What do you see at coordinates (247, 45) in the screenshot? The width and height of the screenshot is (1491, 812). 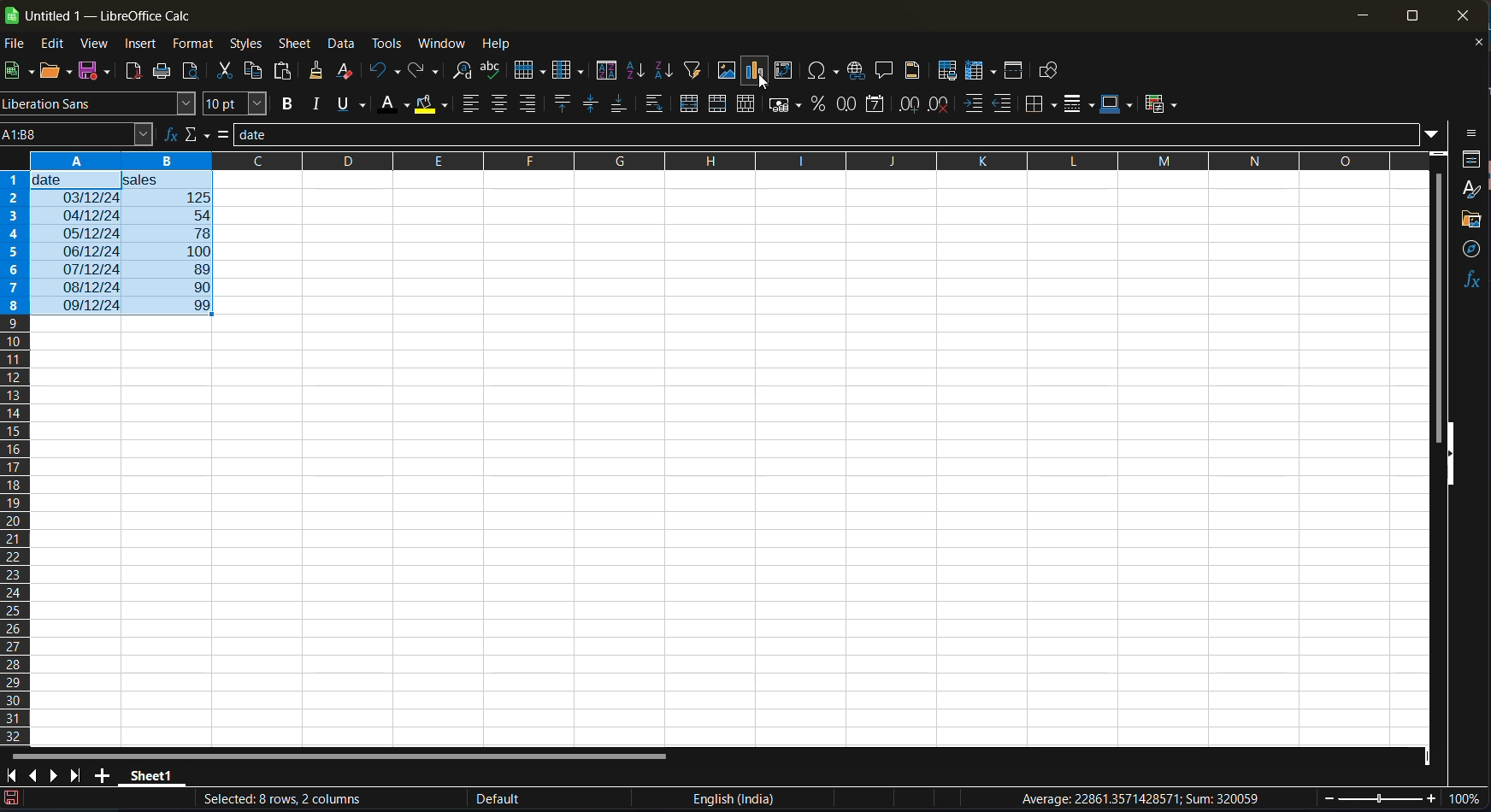 I see `styles` at bounding box center [247, 45].